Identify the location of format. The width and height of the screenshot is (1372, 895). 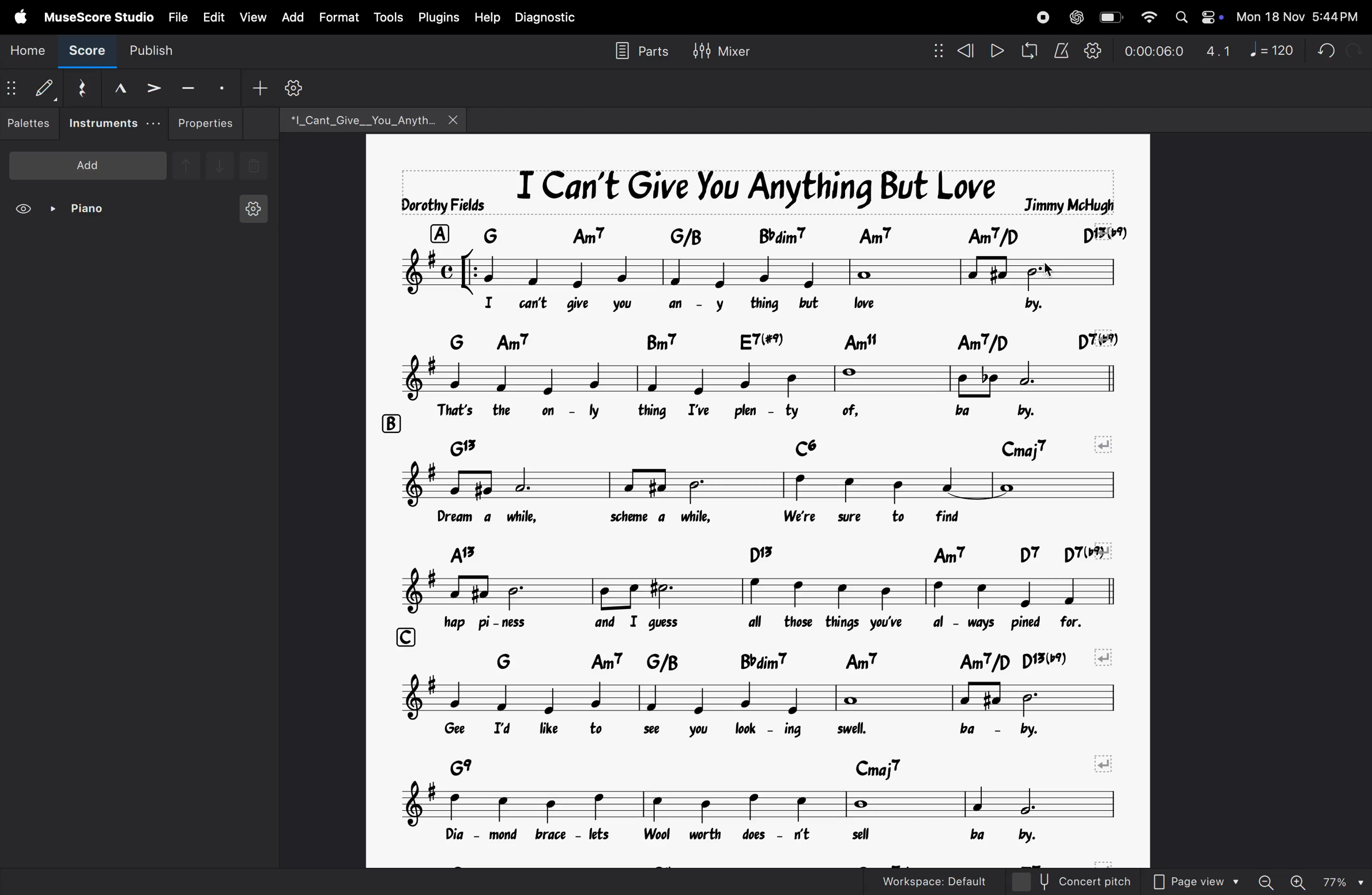
(341, 17).